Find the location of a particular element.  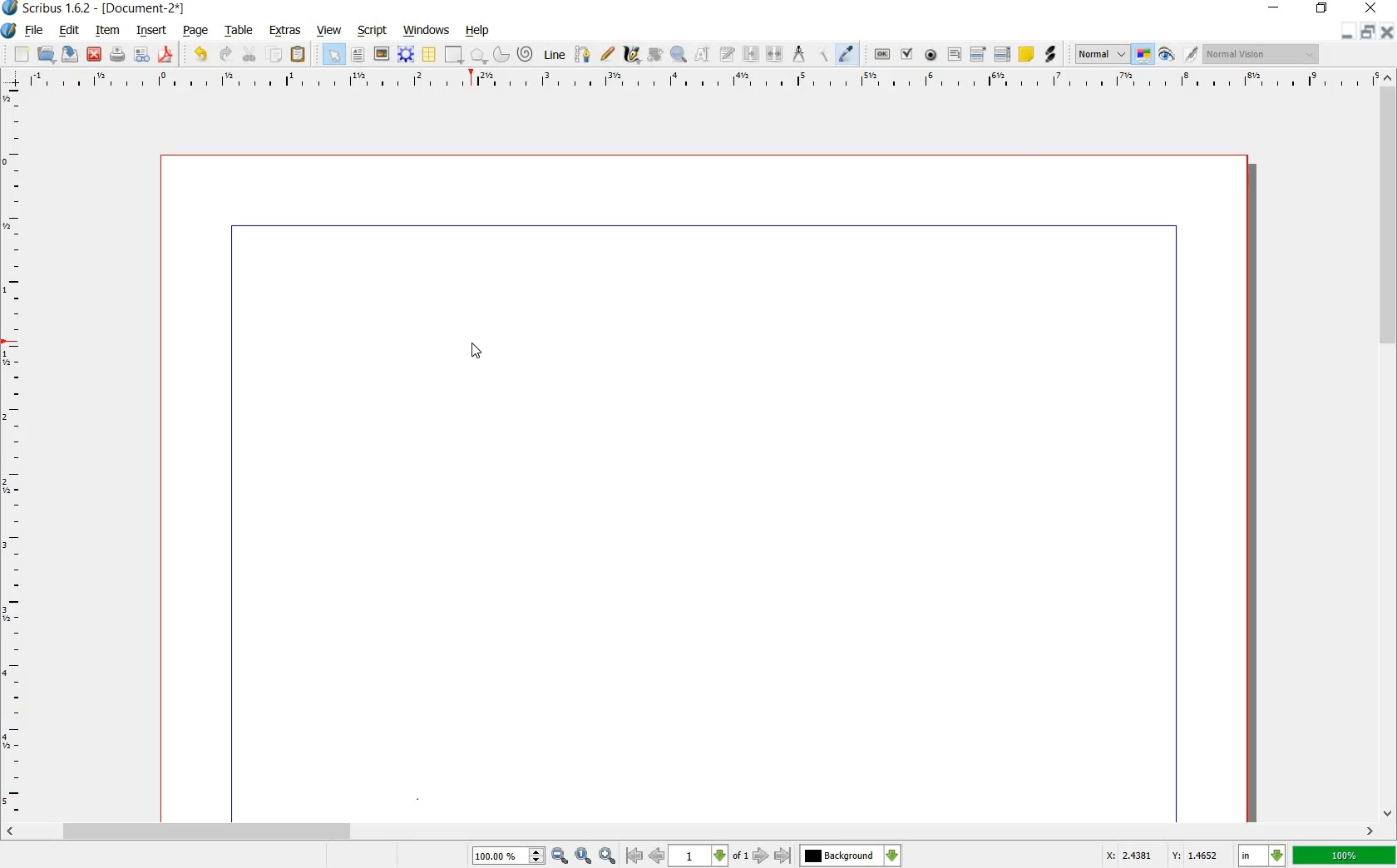

ROTATE ITEM is located at coordinates (656, 52).